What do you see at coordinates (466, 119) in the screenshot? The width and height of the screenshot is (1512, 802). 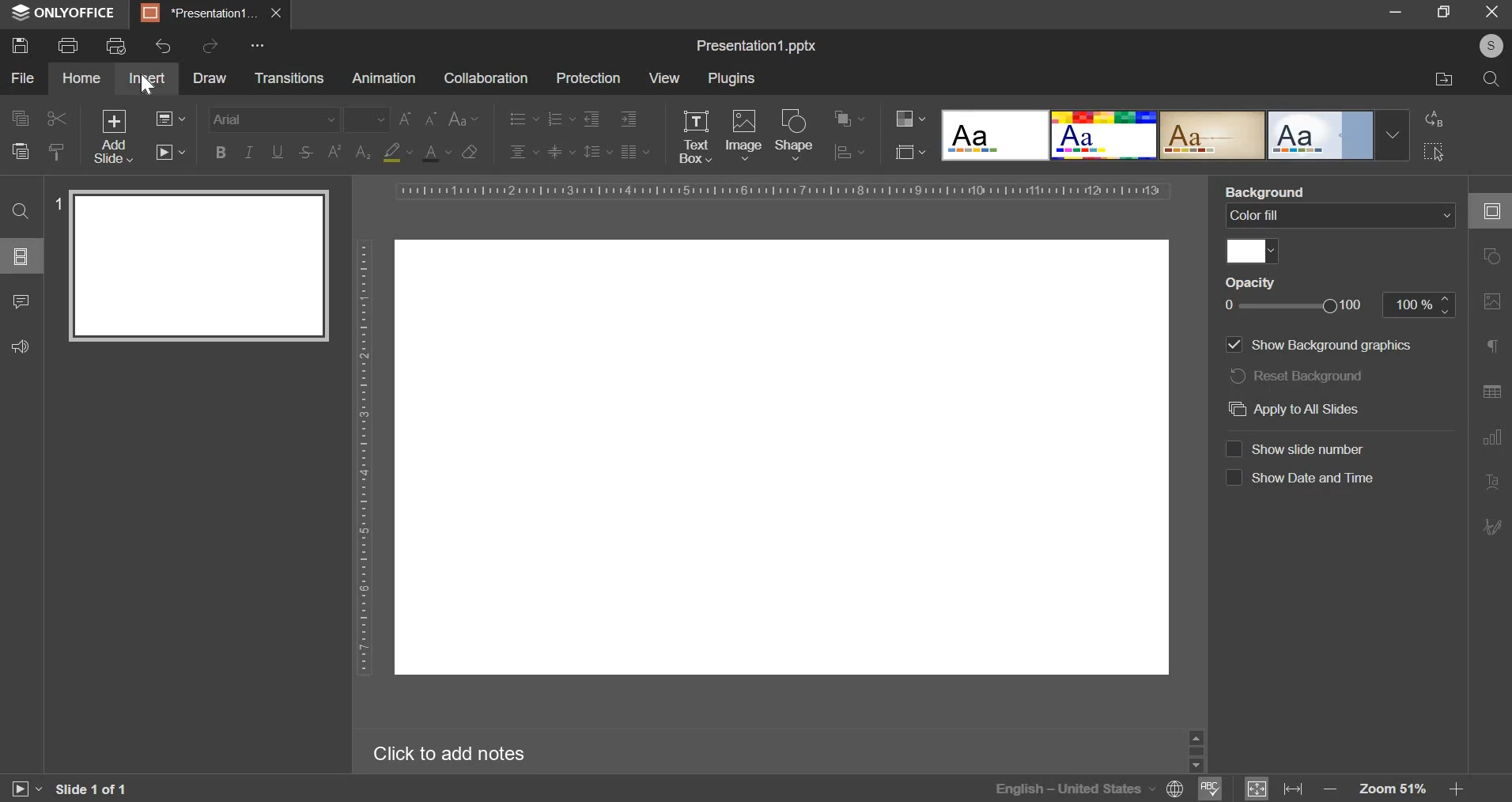 I see `change case` at bounding box center [466, 119].